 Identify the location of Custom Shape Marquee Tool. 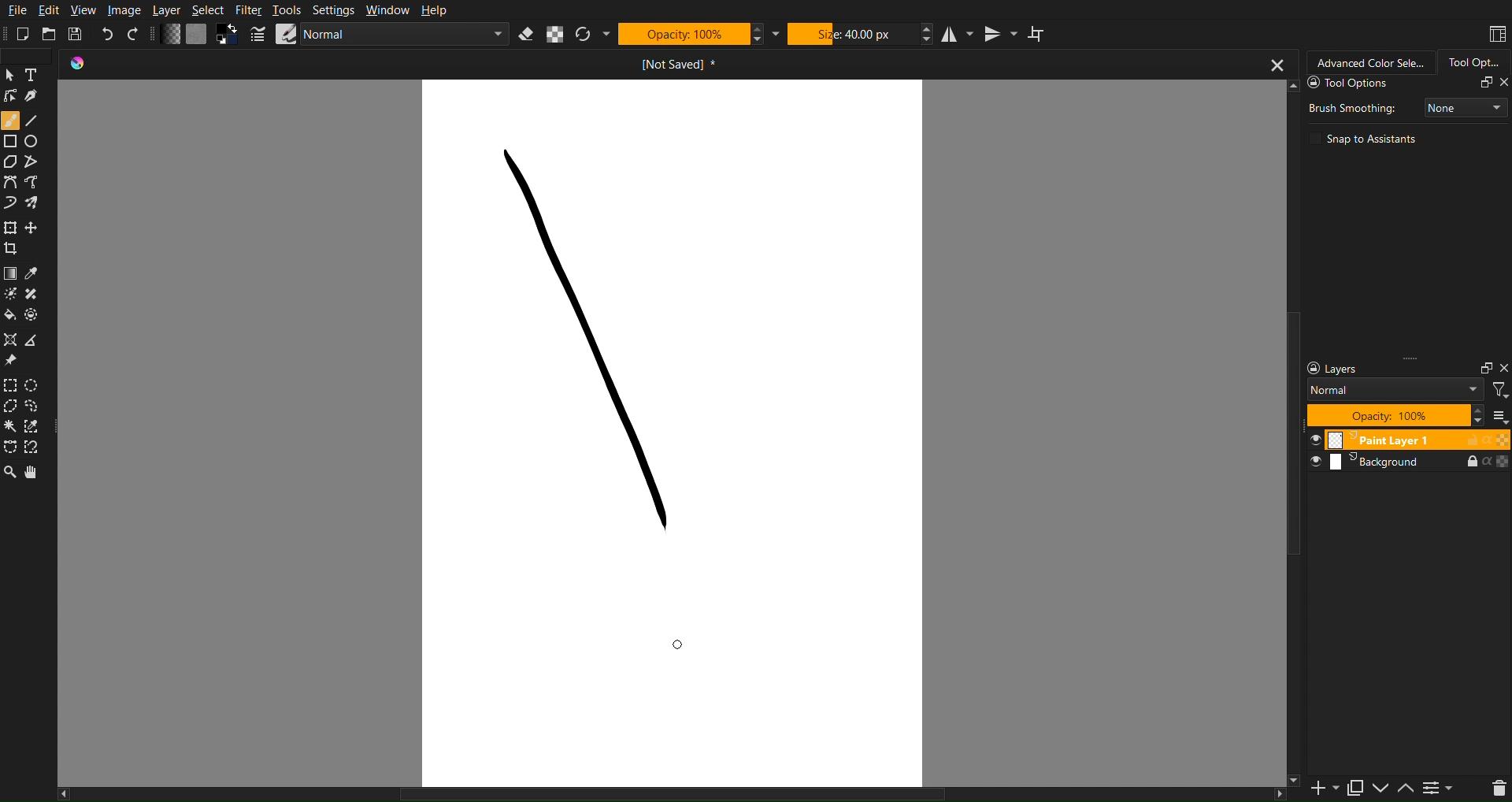
(39, 408).